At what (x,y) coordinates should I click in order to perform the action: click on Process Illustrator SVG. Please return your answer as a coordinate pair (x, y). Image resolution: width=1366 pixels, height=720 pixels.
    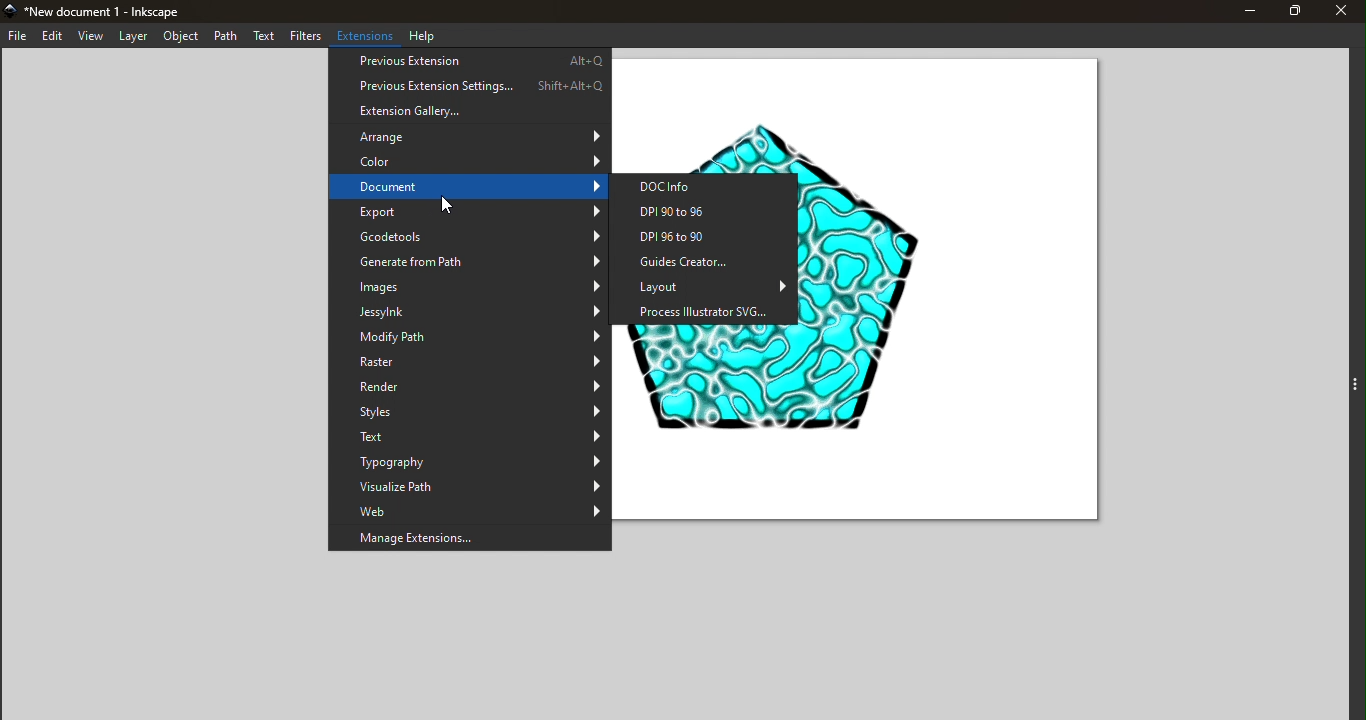
    Looking at the image, I should click on (706, 314).